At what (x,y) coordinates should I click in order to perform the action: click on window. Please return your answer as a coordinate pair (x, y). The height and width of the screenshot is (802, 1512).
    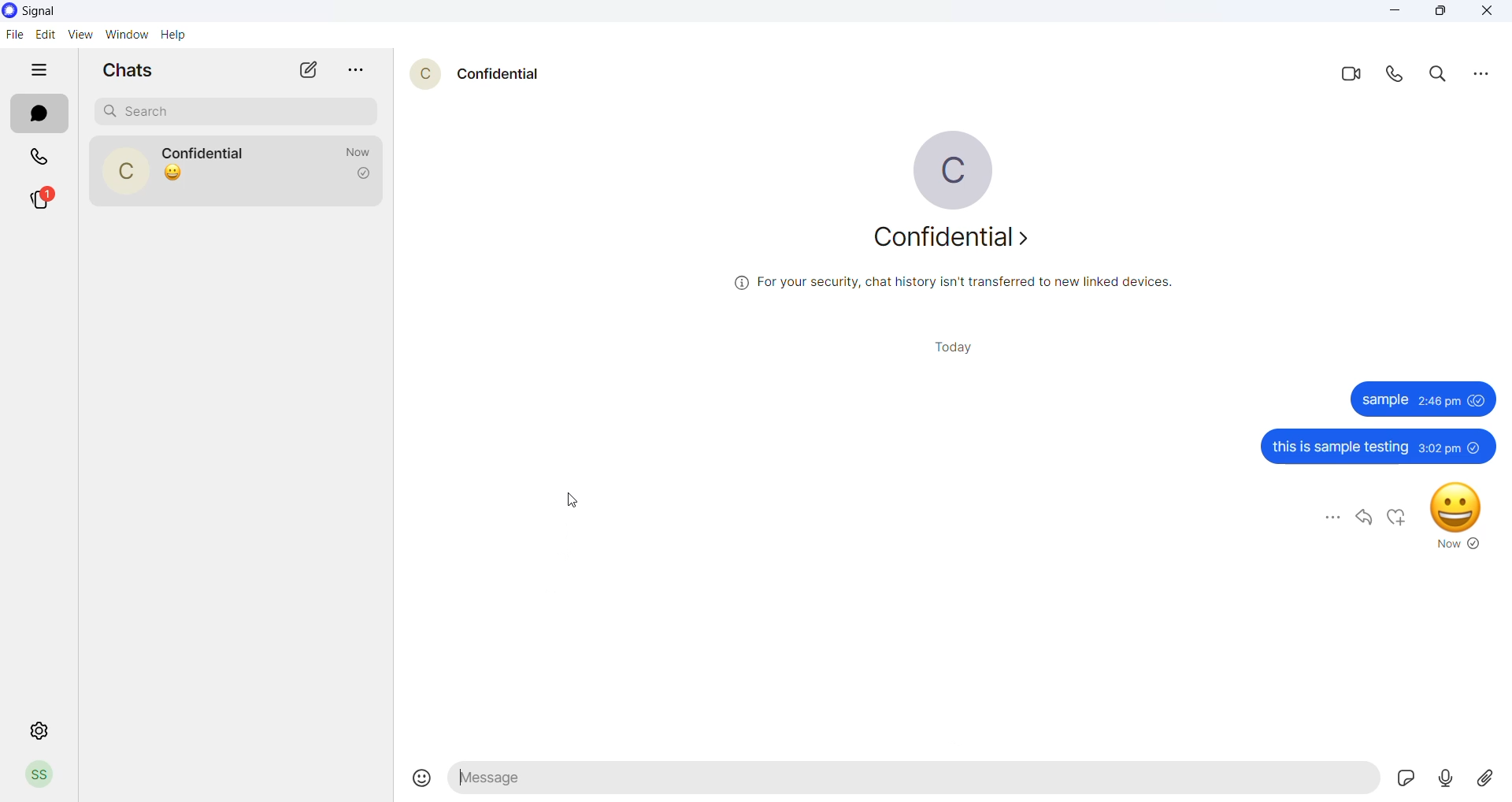
    Looking at the image, I should click on (127, 34).